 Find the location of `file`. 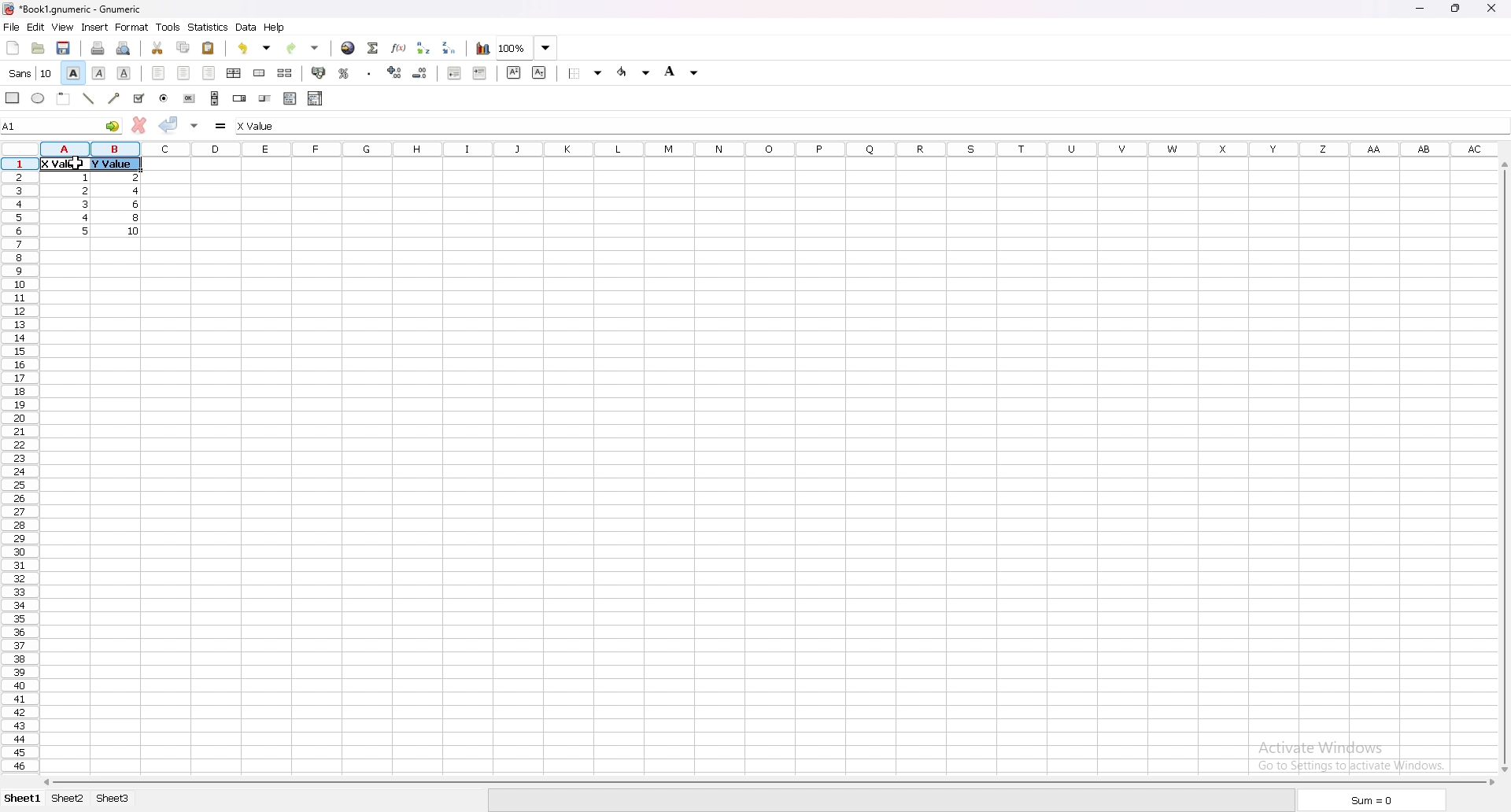

file is located at coordinates (11, 28).